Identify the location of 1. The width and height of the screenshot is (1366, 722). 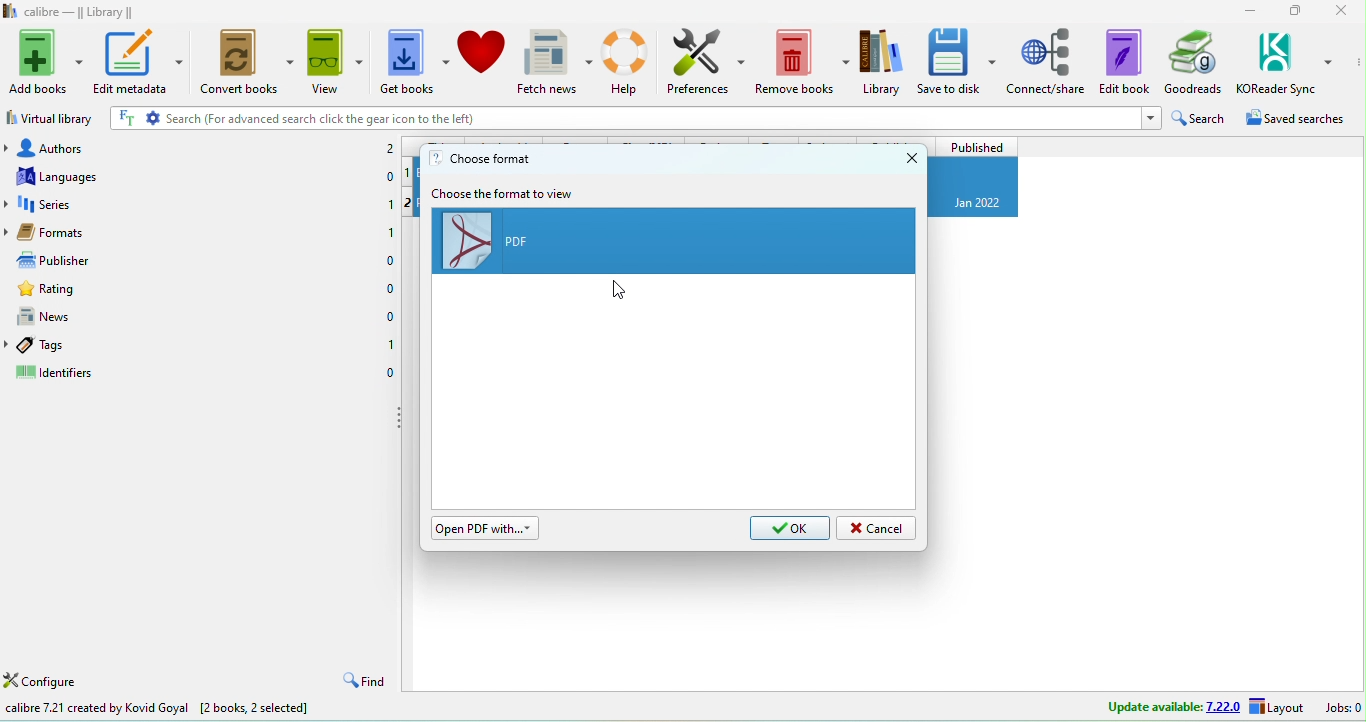
(390, 344).